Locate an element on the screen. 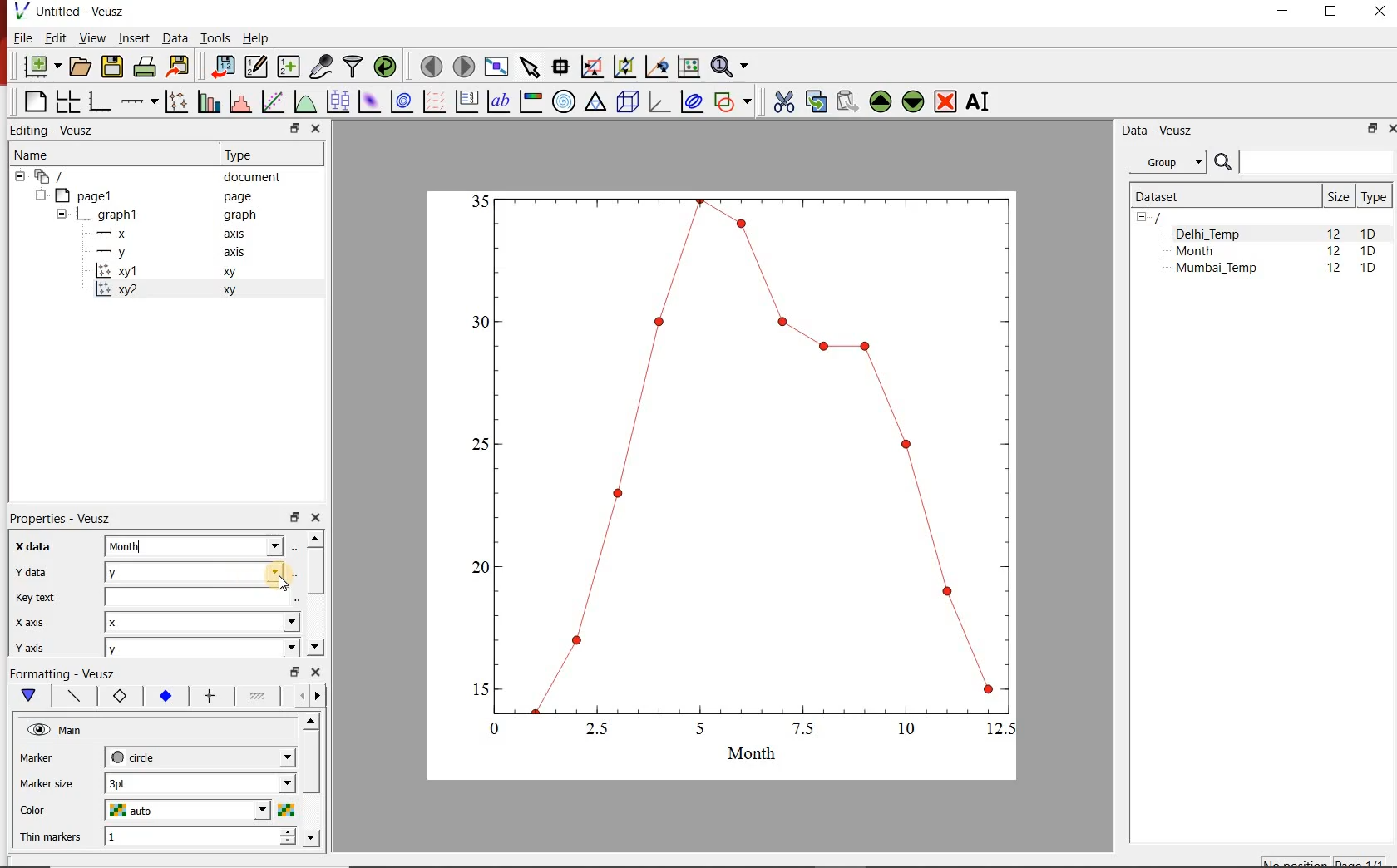  click to reset graph axes is located at coordinates (689, 67).